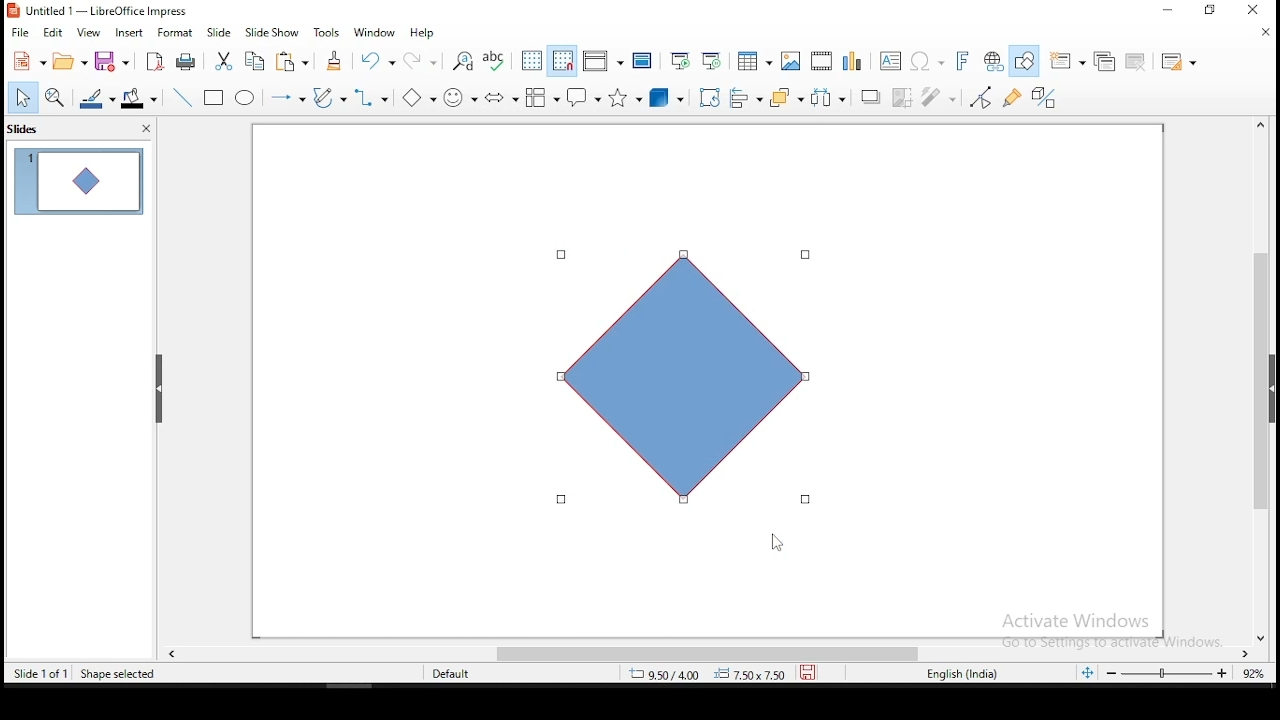  I want to click on rectangle, so click(214, 96).